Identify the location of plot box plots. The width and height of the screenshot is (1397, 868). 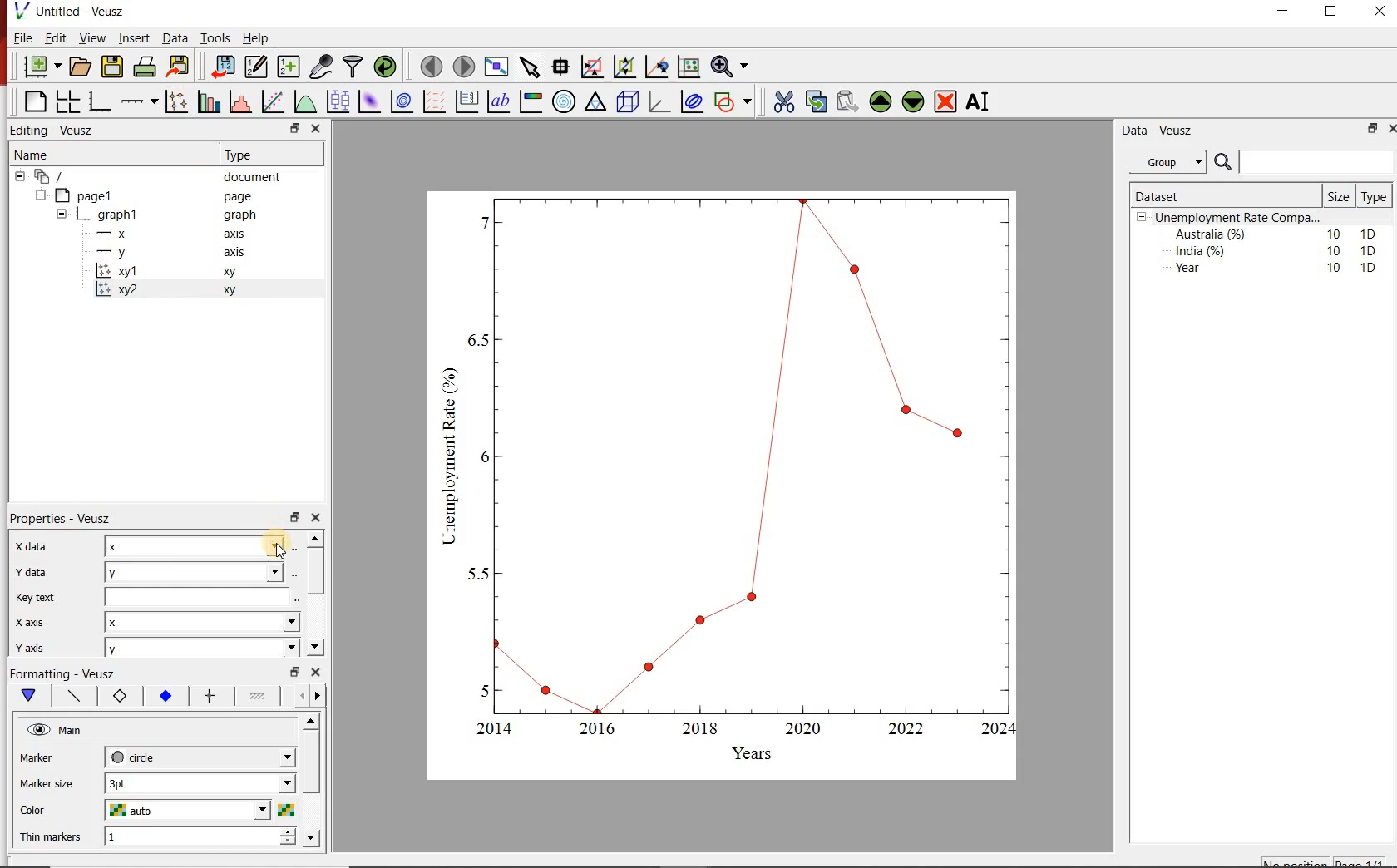
(338, 101).